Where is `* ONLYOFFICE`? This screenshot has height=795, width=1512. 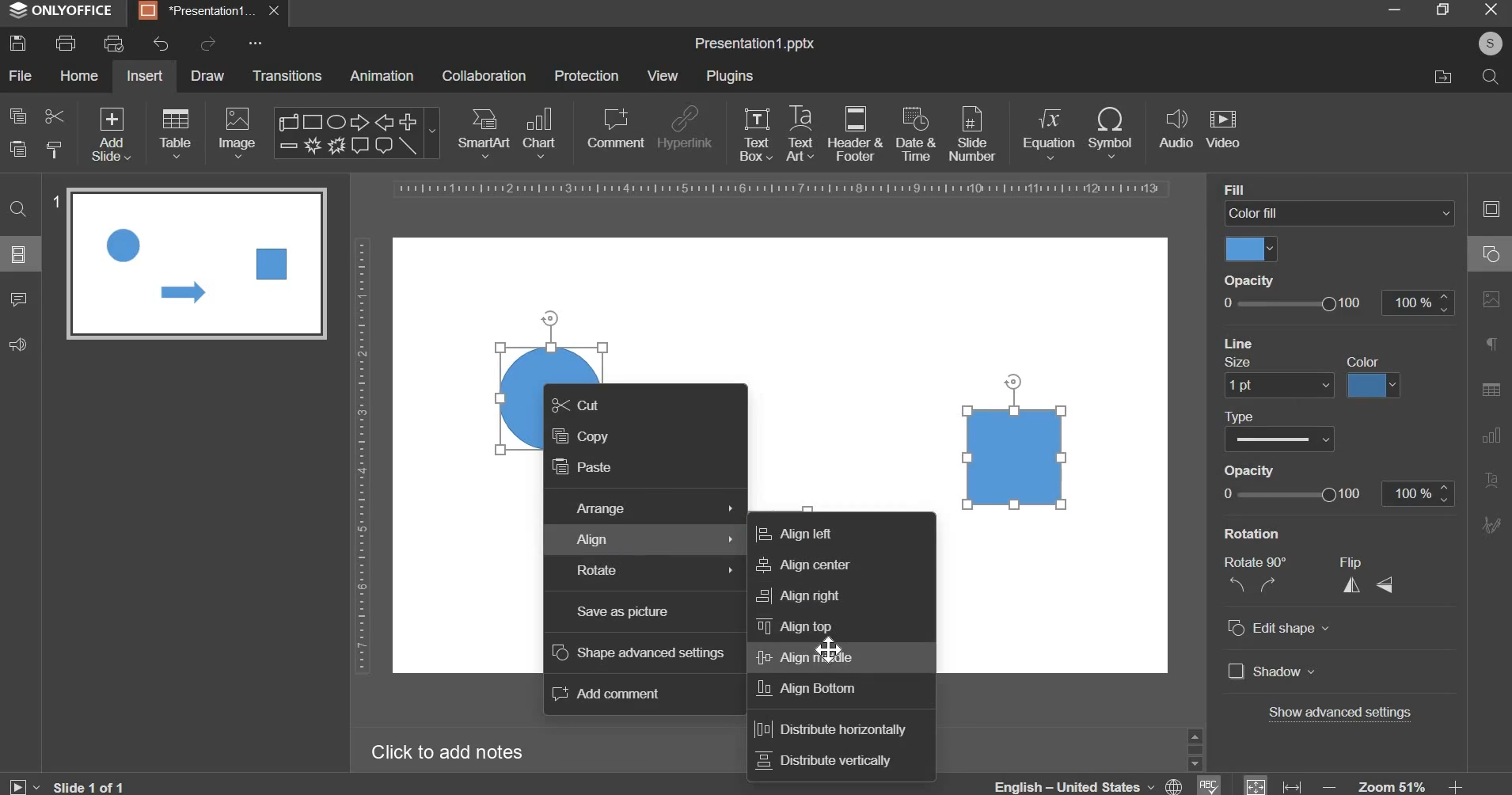
* ONLYOFFICE is located at coordinates (62, 10).